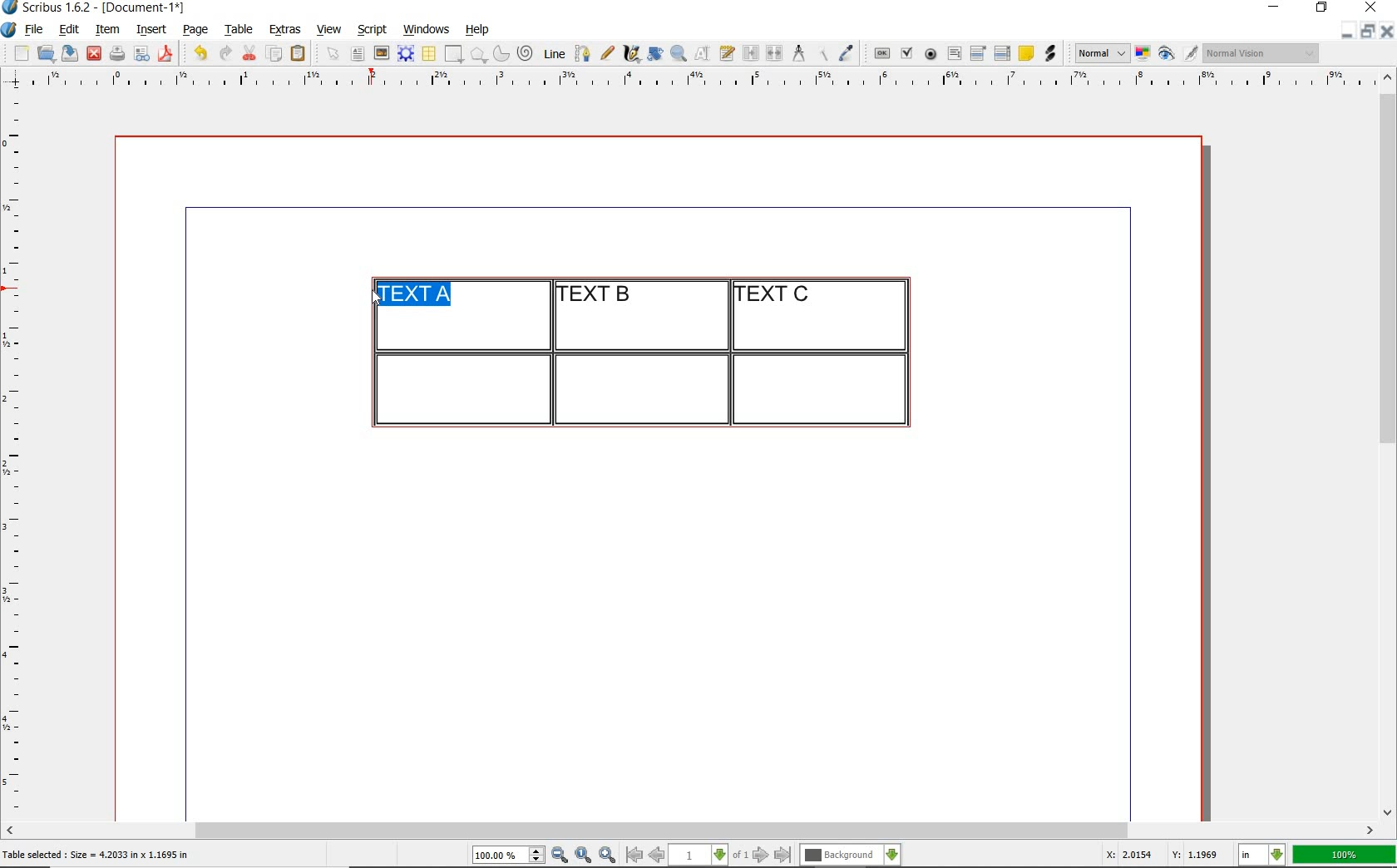  I want to click on eye dropper, so click(846, 55).